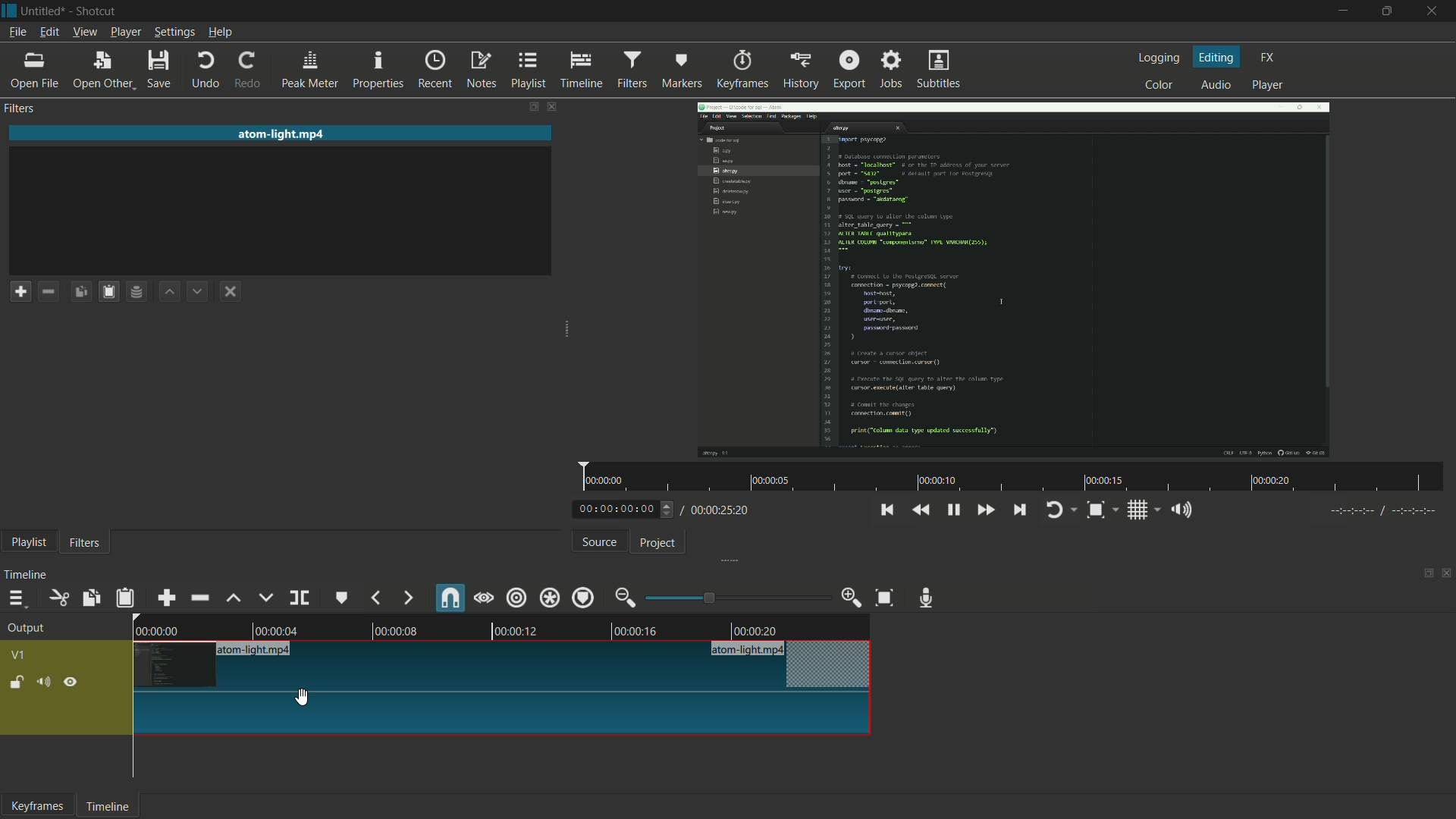 This screenshot has height=819, width=1456. I want to click on jobs, so click(891, 68).